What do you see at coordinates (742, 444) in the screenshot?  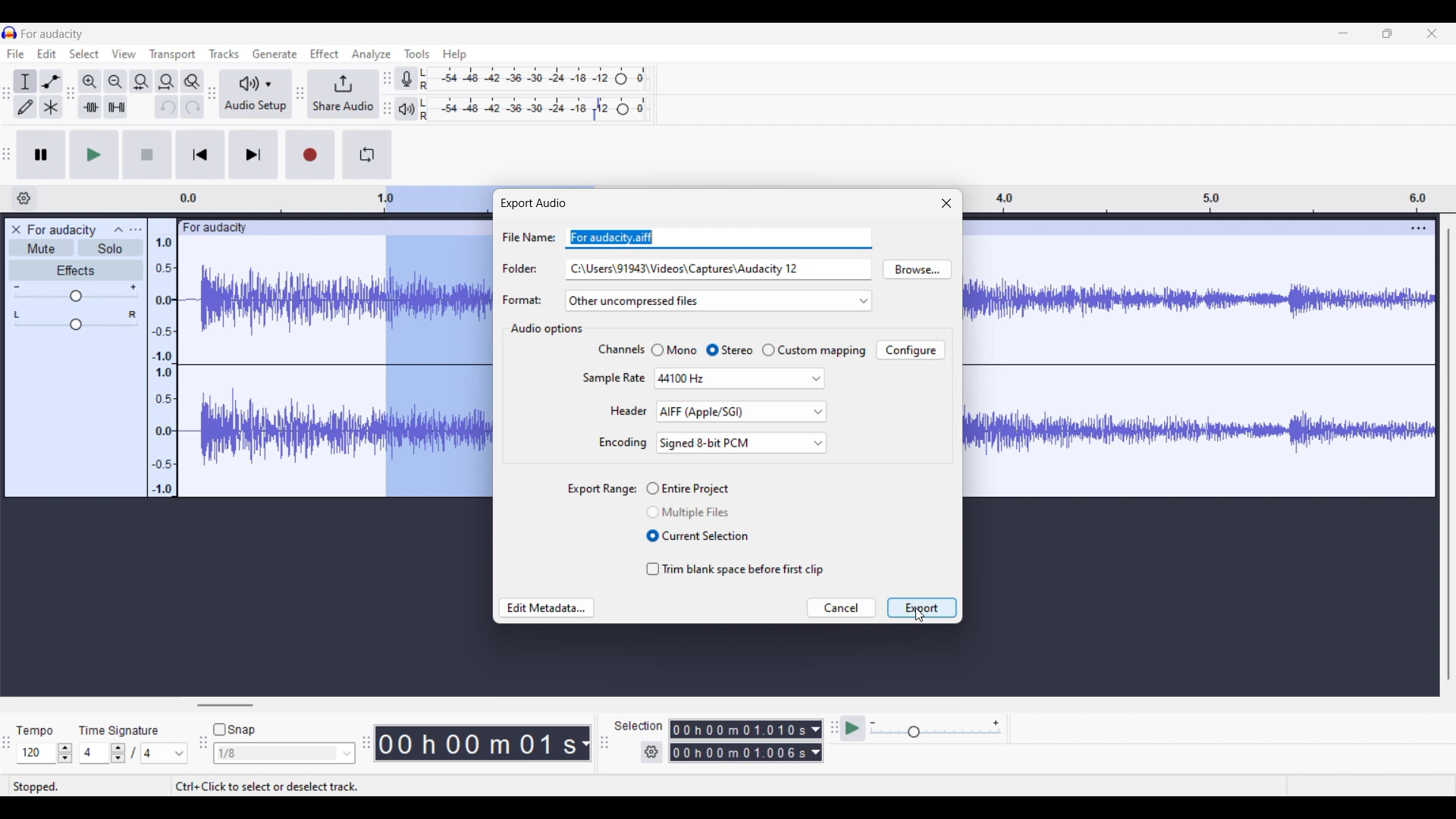 I see `Signed 8-bit PCM hat` at bounding box center [742, 444].